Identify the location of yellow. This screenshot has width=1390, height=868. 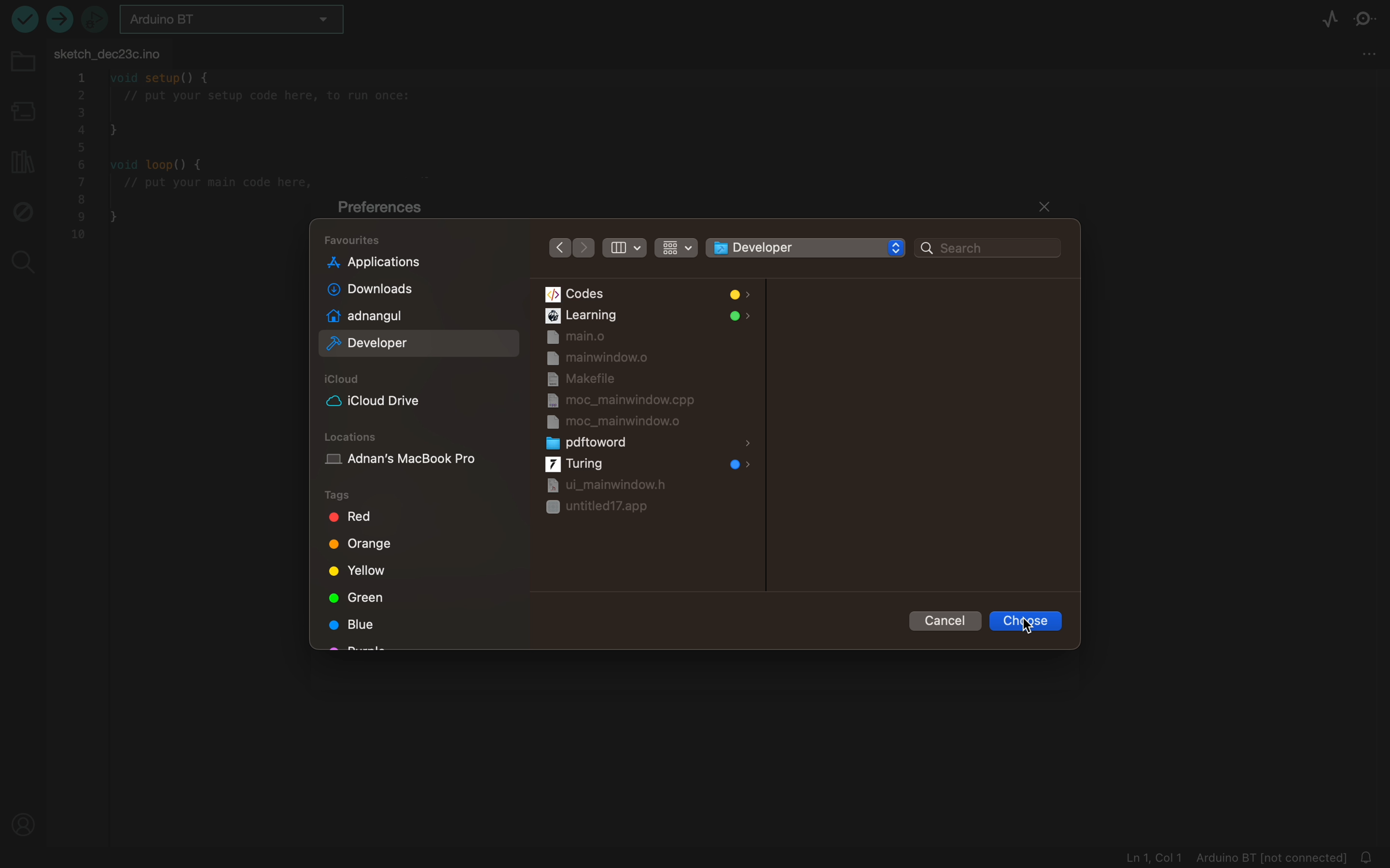
(359, 573).